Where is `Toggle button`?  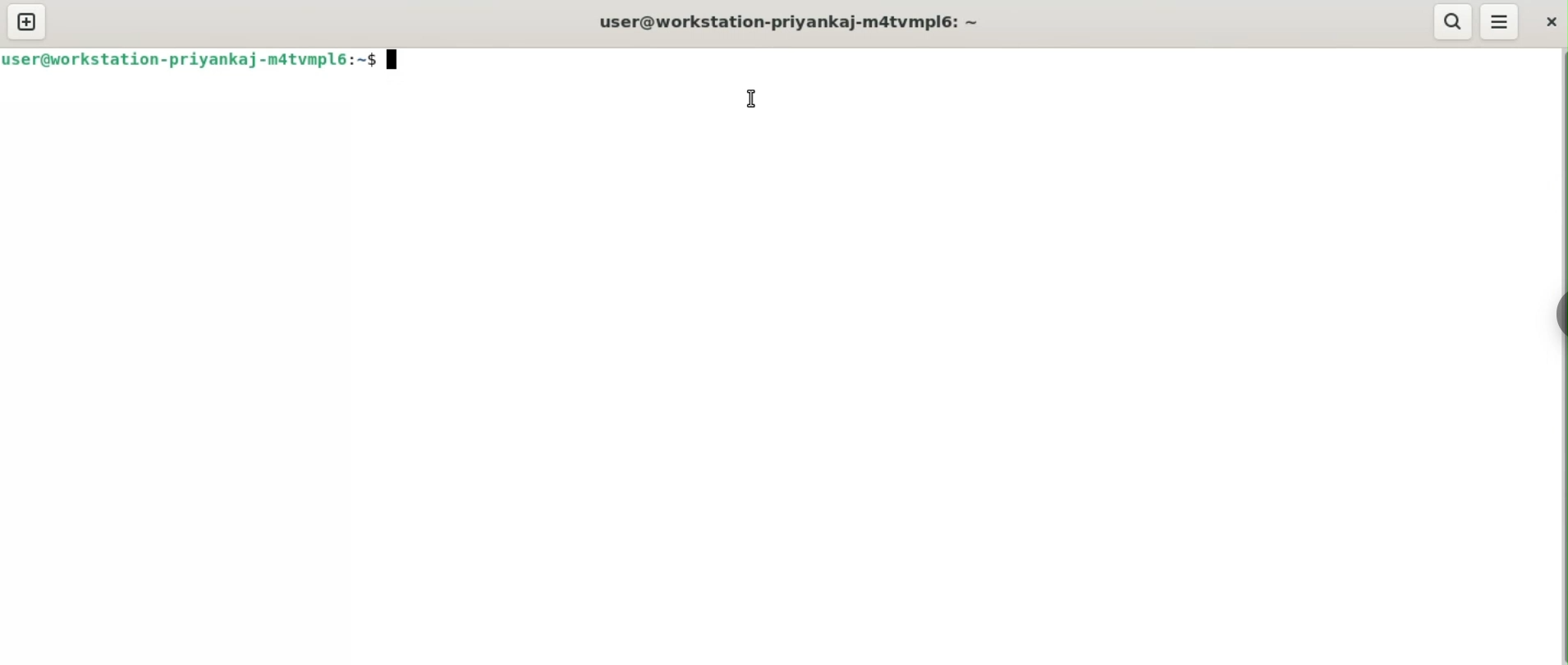
Toggle button is located at coordinates (1554, 319).